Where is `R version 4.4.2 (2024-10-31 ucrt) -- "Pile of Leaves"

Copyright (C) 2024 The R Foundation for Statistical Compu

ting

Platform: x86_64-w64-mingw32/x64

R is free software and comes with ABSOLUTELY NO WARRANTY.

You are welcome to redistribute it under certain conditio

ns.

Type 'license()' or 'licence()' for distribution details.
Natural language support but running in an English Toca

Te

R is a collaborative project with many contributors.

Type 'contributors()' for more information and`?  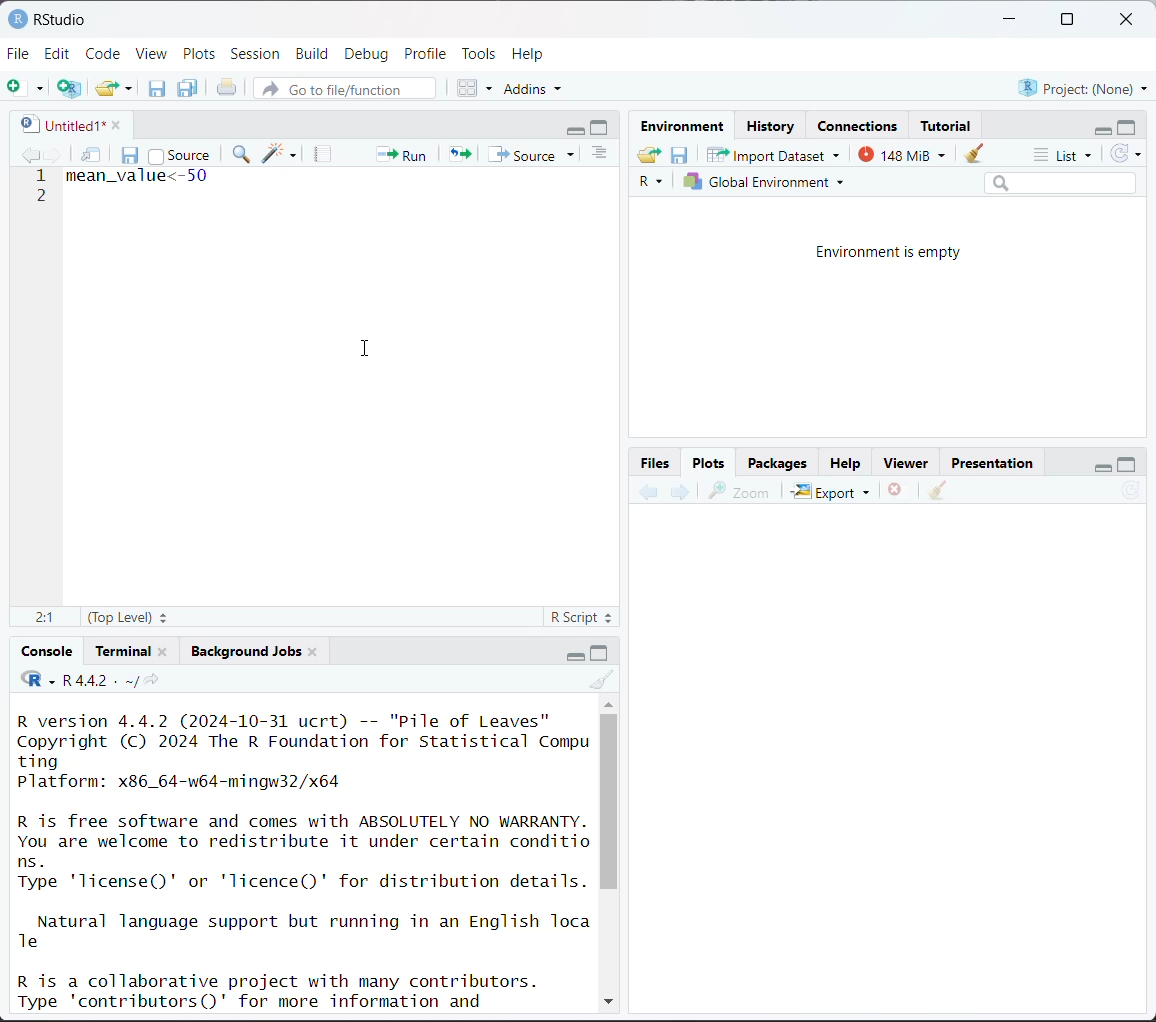
R version 4.4.2 (2024-10-31 ucrt) -- "Pile of Leaves"

Copyright (C) 2024 The R Foundation for Statistical Compu

ting

Platform: x86_64-w64-mingw32/x64

R is free software and comes with ABSOLUTELY NO WARRANTY.

You are welcome to redistribute it under certain conditio

ns.

Type 'license()' or 'licence()' for distribution details.
Natural language support but running in an English Toca

Te

R is a collaborative project with many contributors.

Type 'contributors()' for more information and is located at coordinates (305, 859).